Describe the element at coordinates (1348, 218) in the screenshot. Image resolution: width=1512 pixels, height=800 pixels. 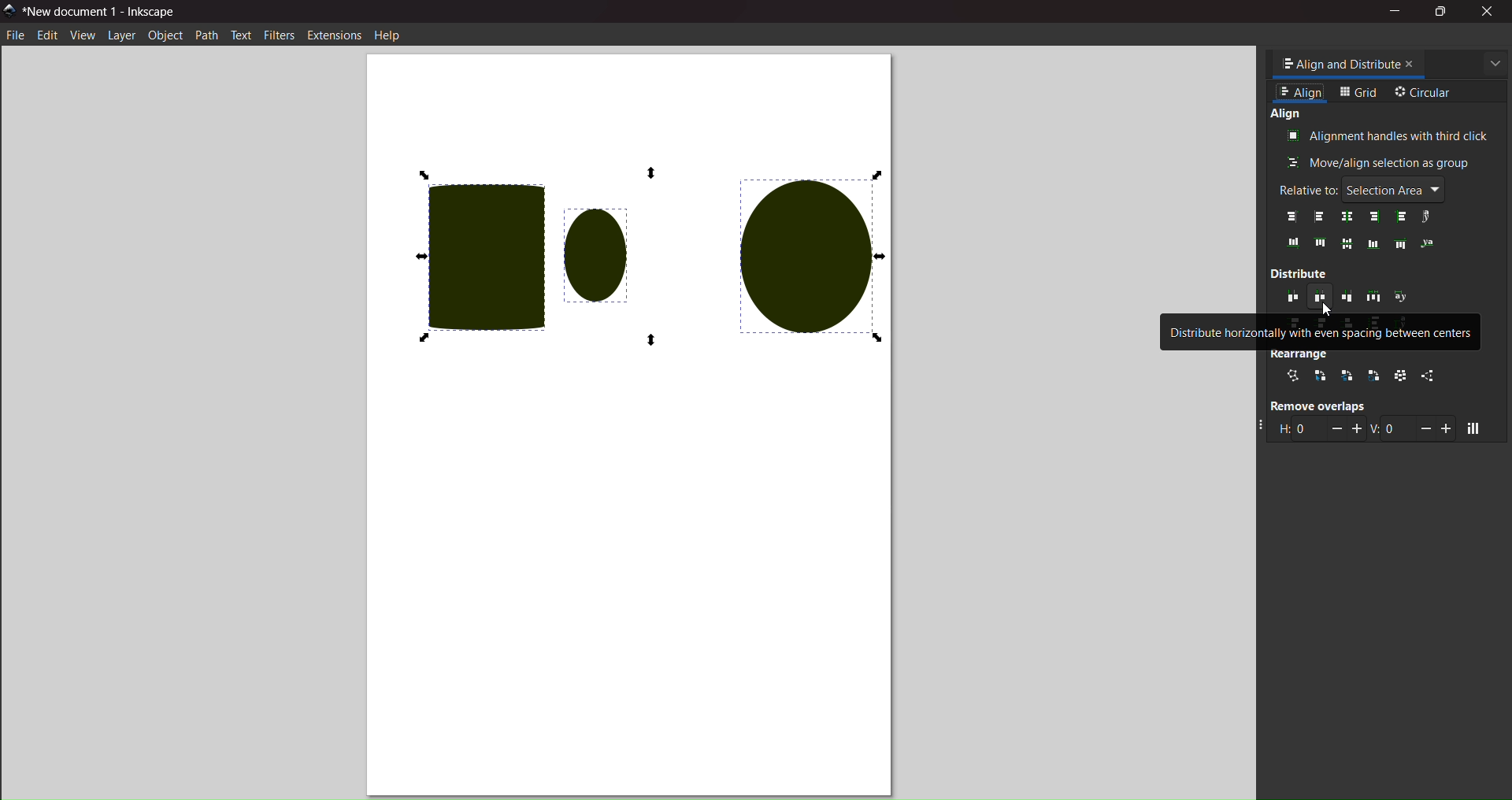
I see `center` at that location.